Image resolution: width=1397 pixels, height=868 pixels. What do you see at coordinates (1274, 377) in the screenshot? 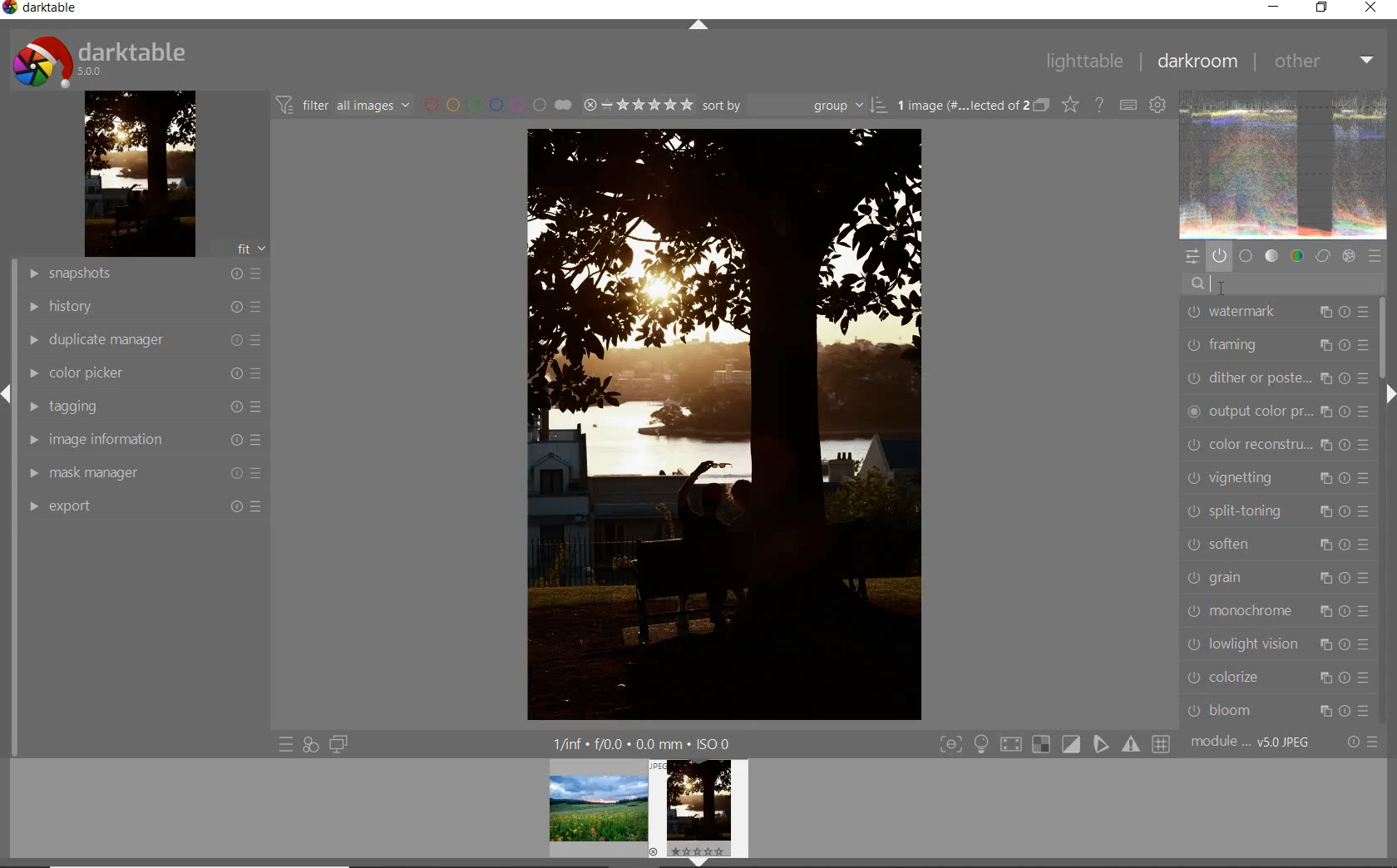
I see `dither or paste` at bounding box center [1274, 377].